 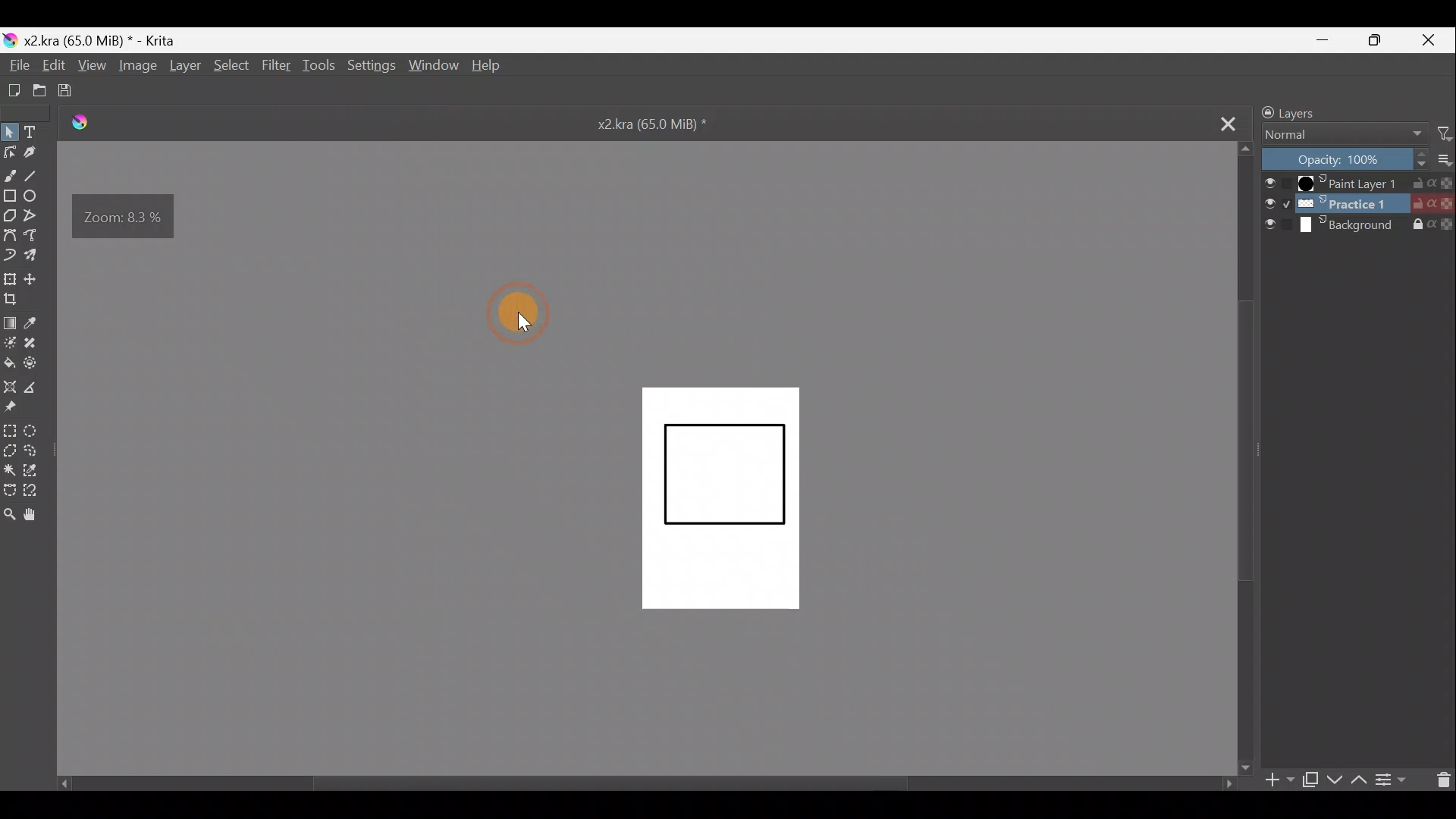 What do you see at coordinates (9, 193) in the screenshot?
I see `Rectangle tool` at bounding box center [9, 193].